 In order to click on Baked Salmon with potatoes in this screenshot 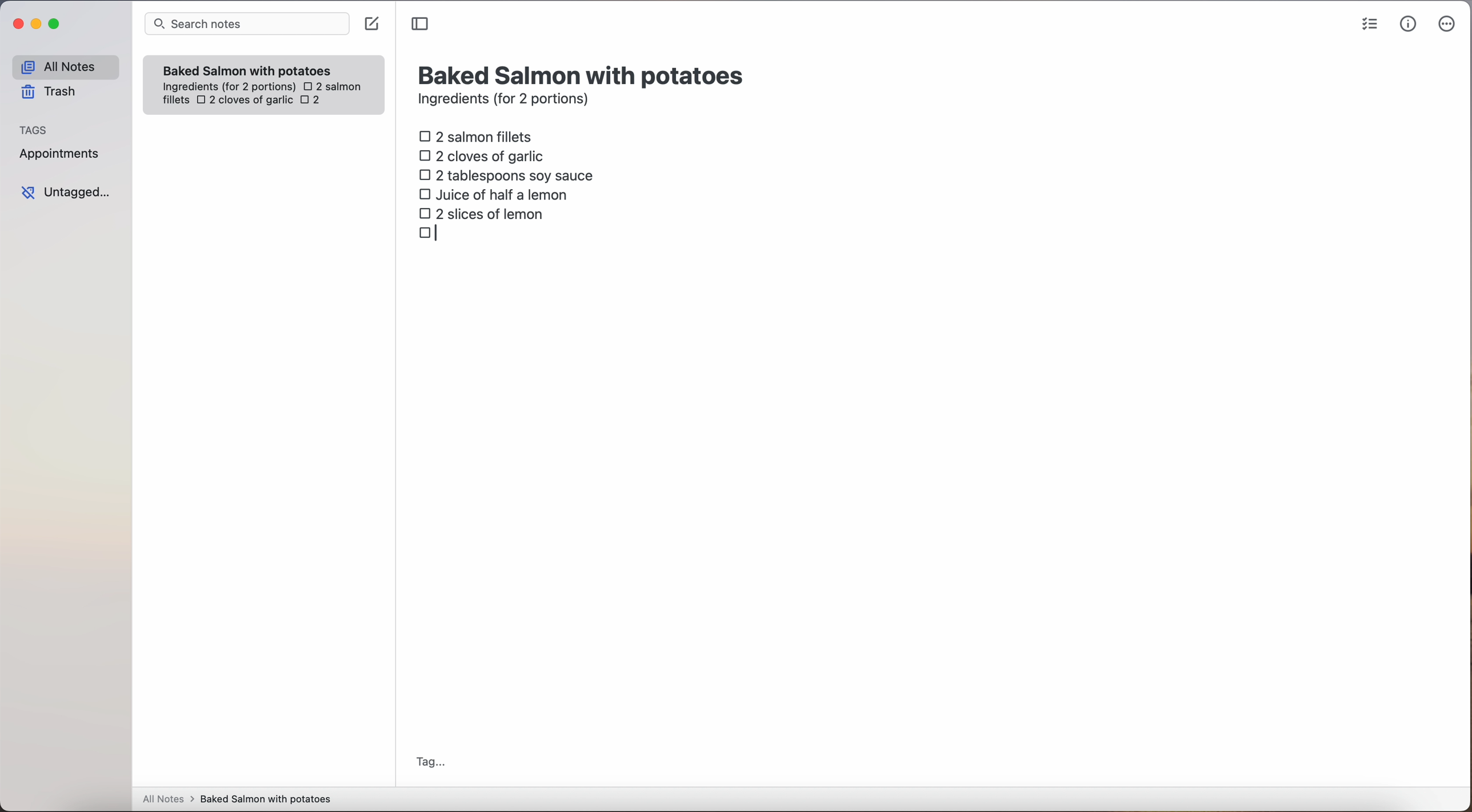, I will do `click(247, 68)`.